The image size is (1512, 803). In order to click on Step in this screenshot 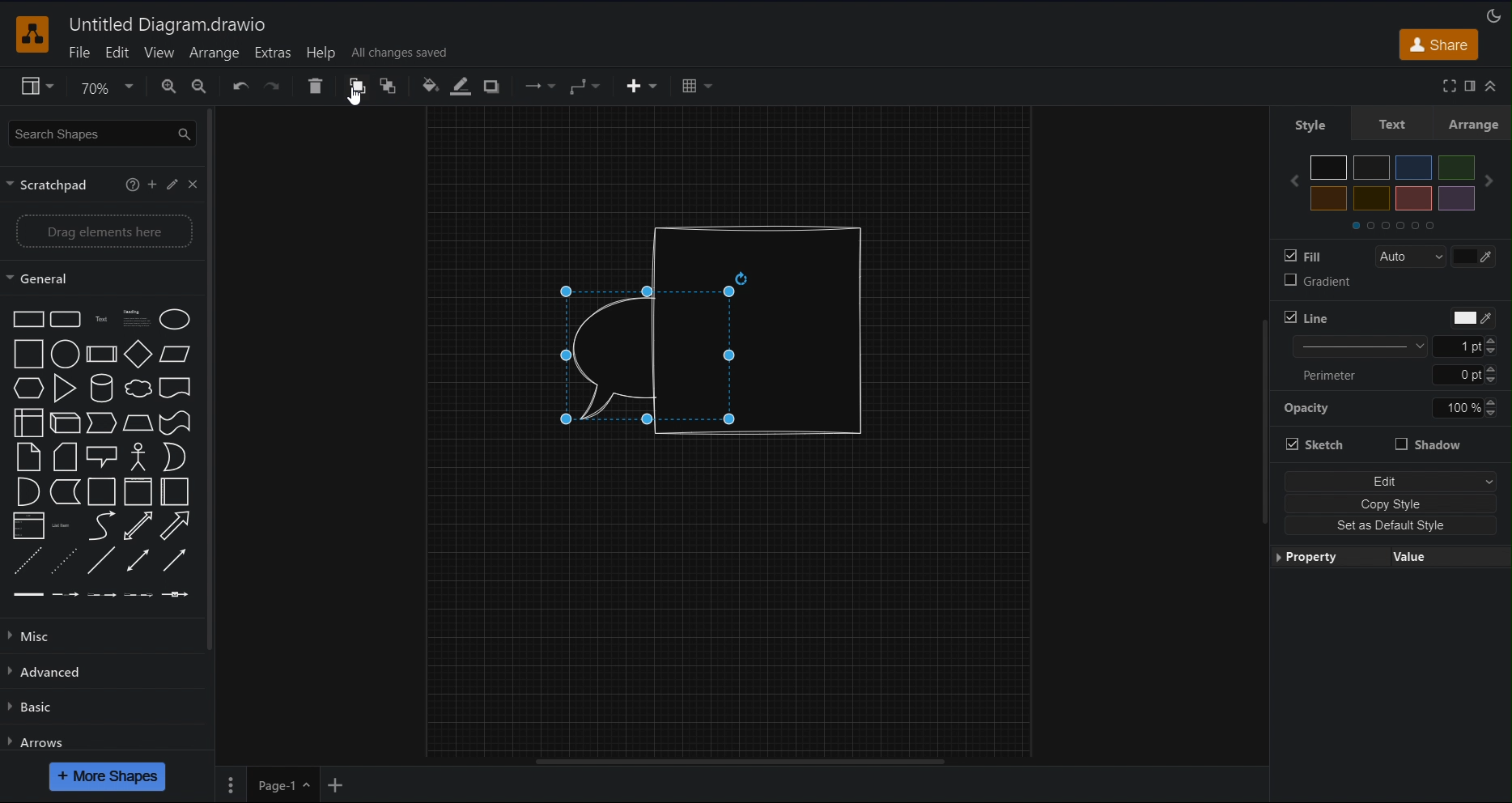, I will do `click(101, 423)`.